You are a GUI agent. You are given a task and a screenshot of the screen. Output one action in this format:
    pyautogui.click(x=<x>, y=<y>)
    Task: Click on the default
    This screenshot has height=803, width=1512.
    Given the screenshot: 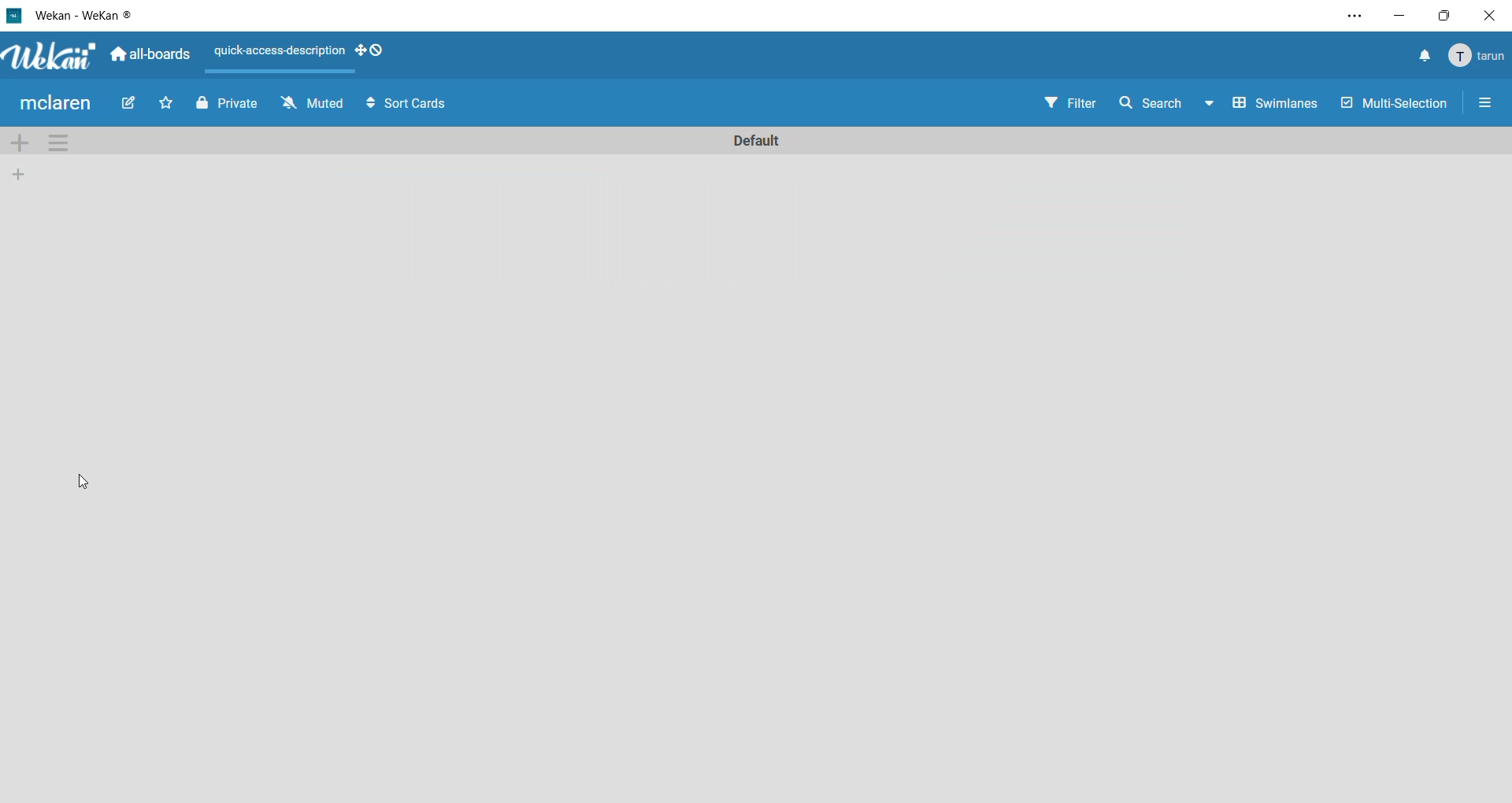 What is the action you would take?
    pyautogui.click(x=761, y=139)
    